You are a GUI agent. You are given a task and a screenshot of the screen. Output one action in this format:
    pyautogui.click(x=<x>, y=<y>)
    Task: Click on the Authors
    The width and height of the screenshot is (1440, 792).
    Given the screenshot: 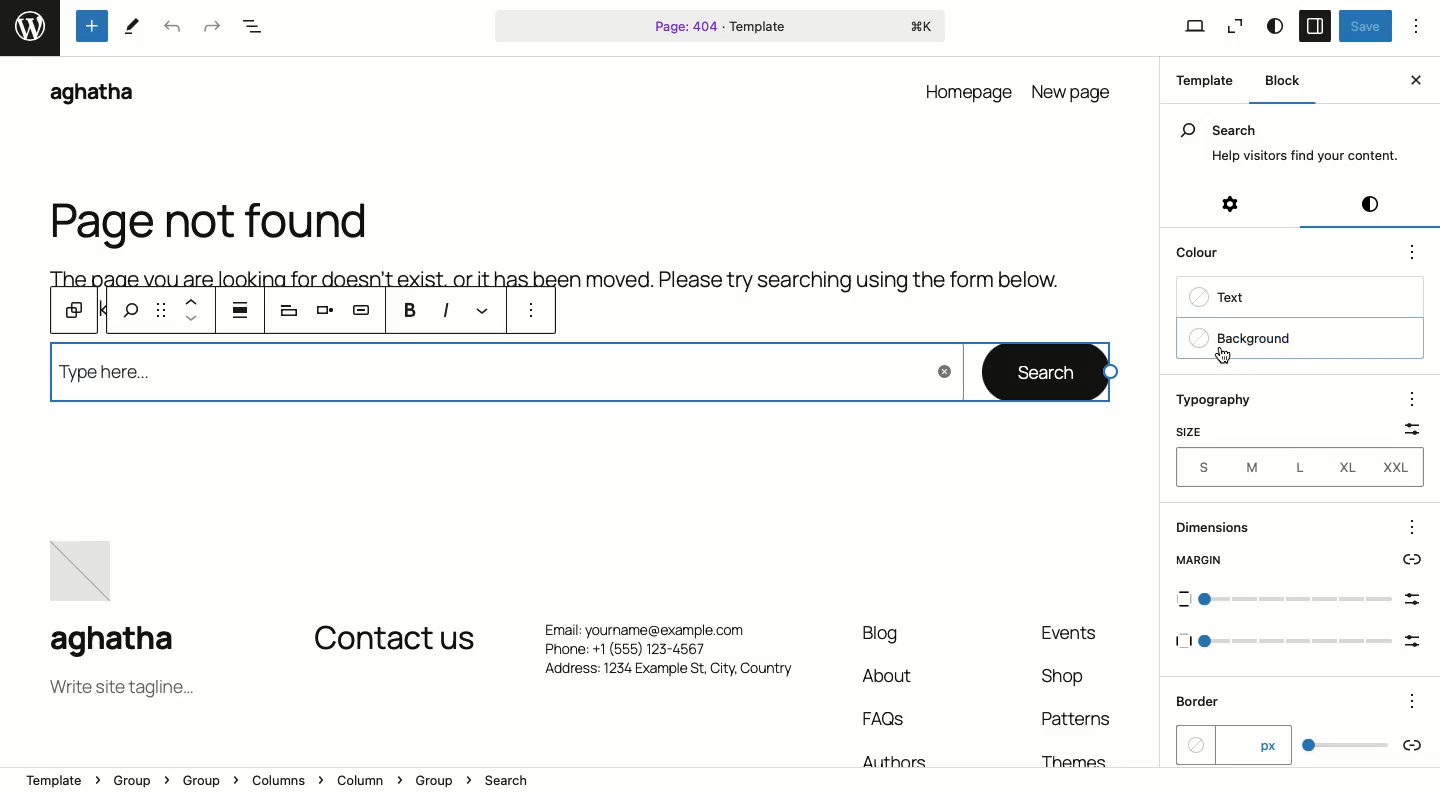 What is the action you would take?
    pyautogui.click(x=889, y=758)
    